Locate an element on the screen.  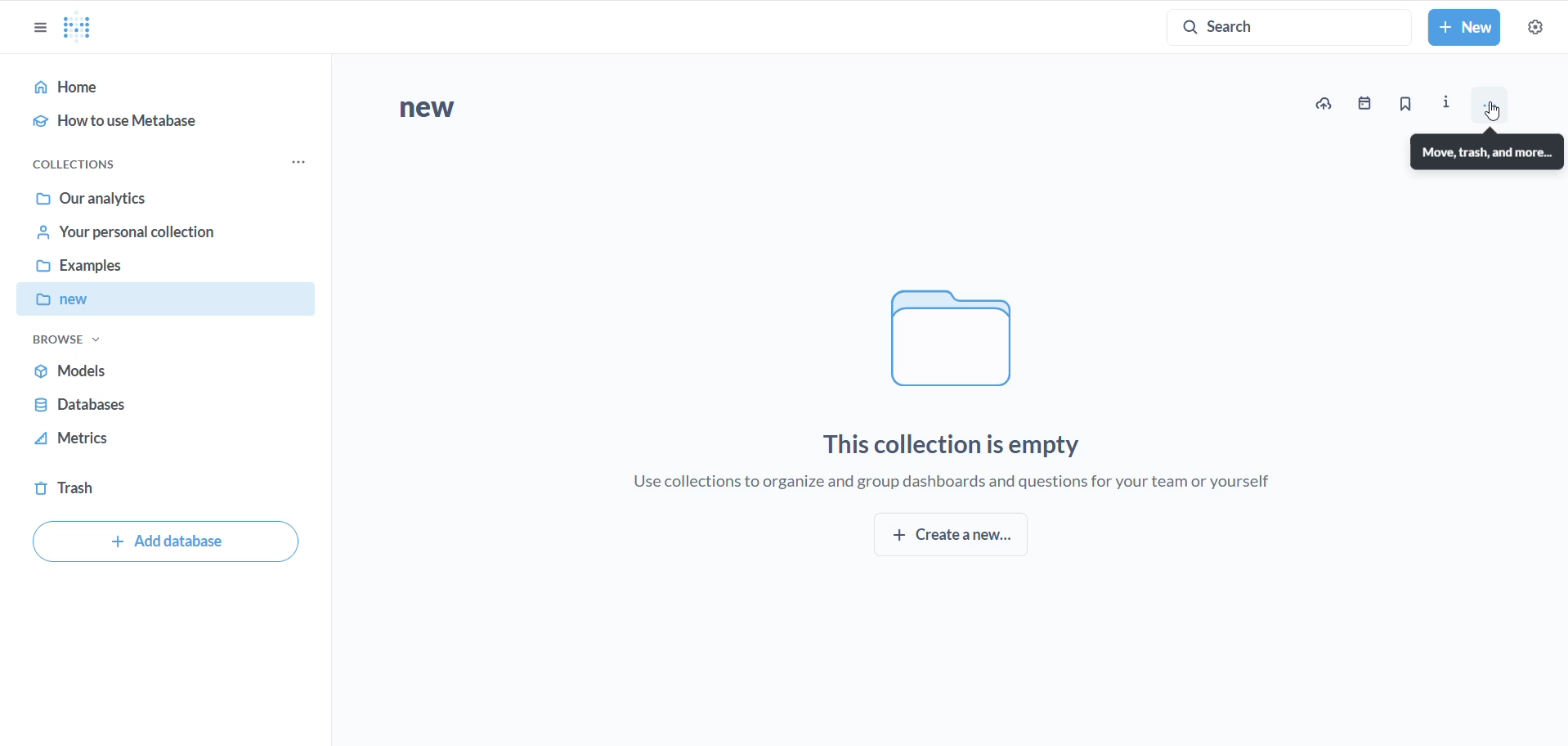
models is located at coordinates (135, 370).